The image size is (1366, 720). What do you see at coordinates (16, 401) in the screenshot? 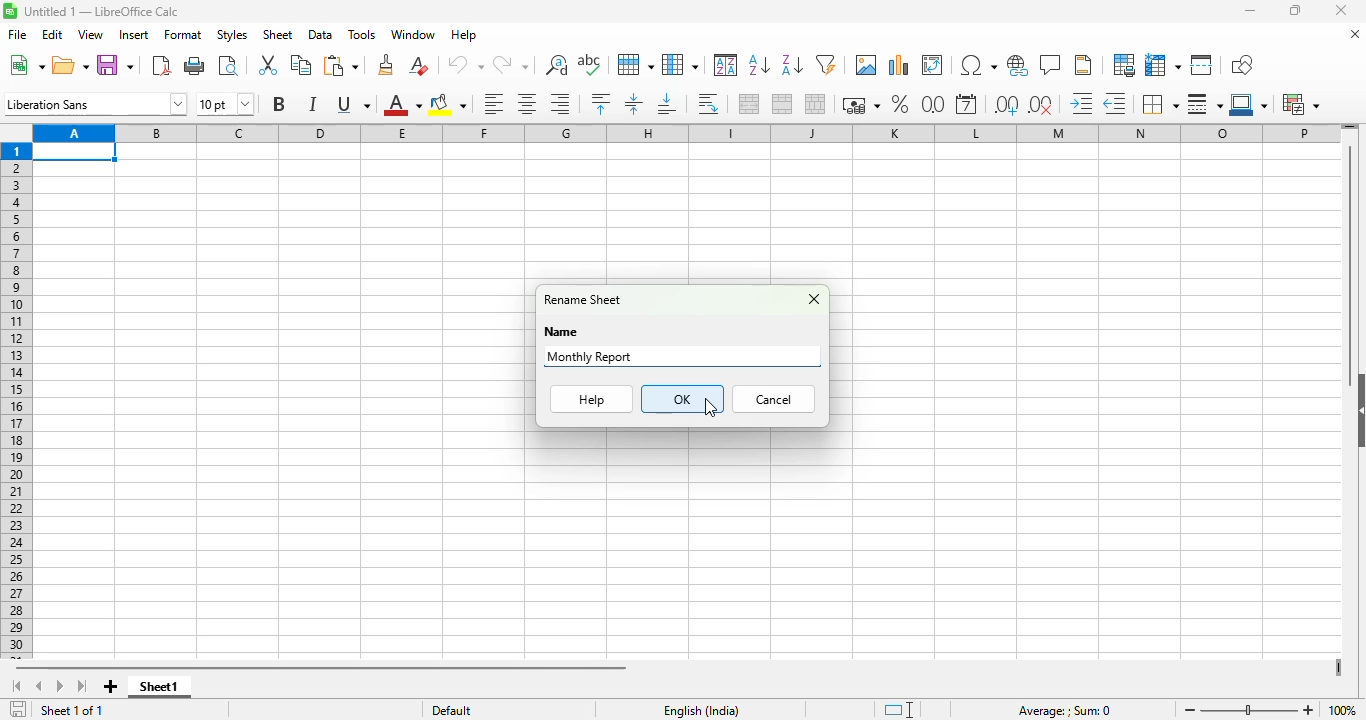
I see `rows` at bounding box center [16, 401].